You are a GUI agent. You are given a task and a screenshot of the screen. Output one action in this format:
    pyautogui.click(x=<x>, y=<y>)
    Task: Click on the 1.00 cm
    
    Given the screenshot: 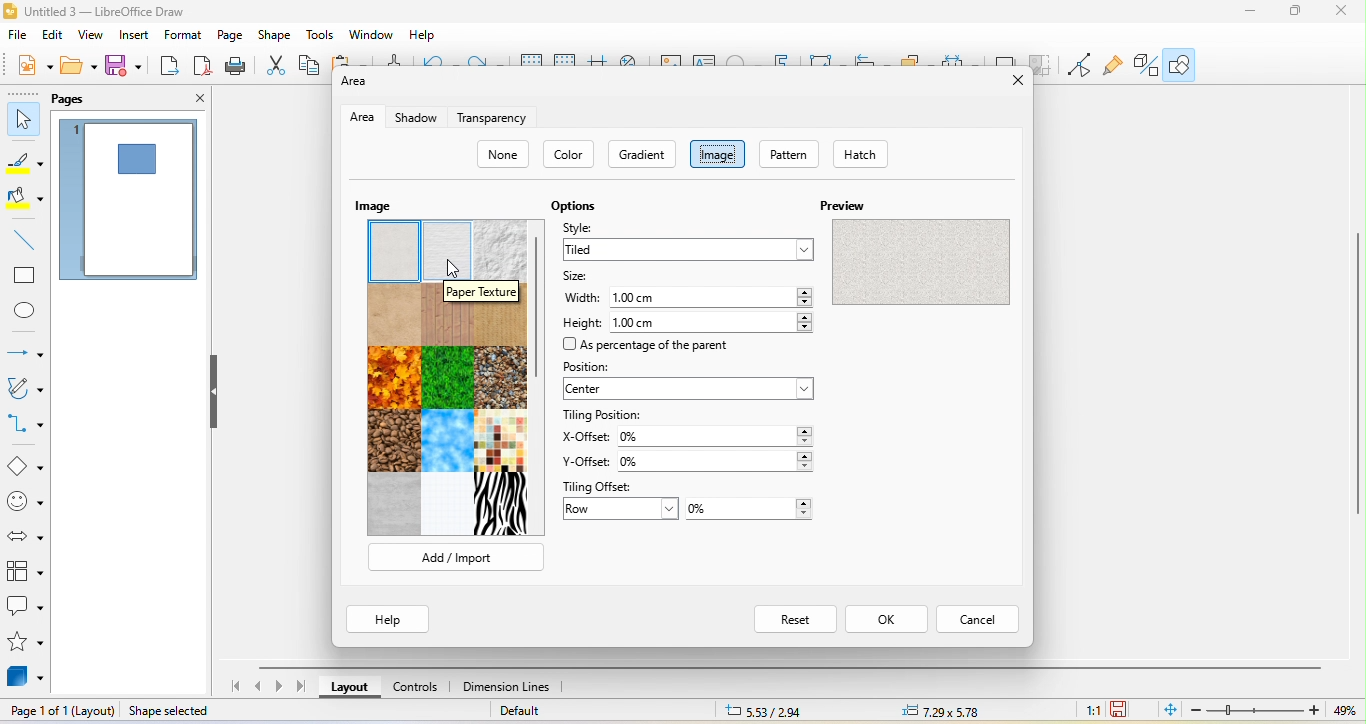 What is the action you would take?
    pyautogui.click(x=717, y=320)
    